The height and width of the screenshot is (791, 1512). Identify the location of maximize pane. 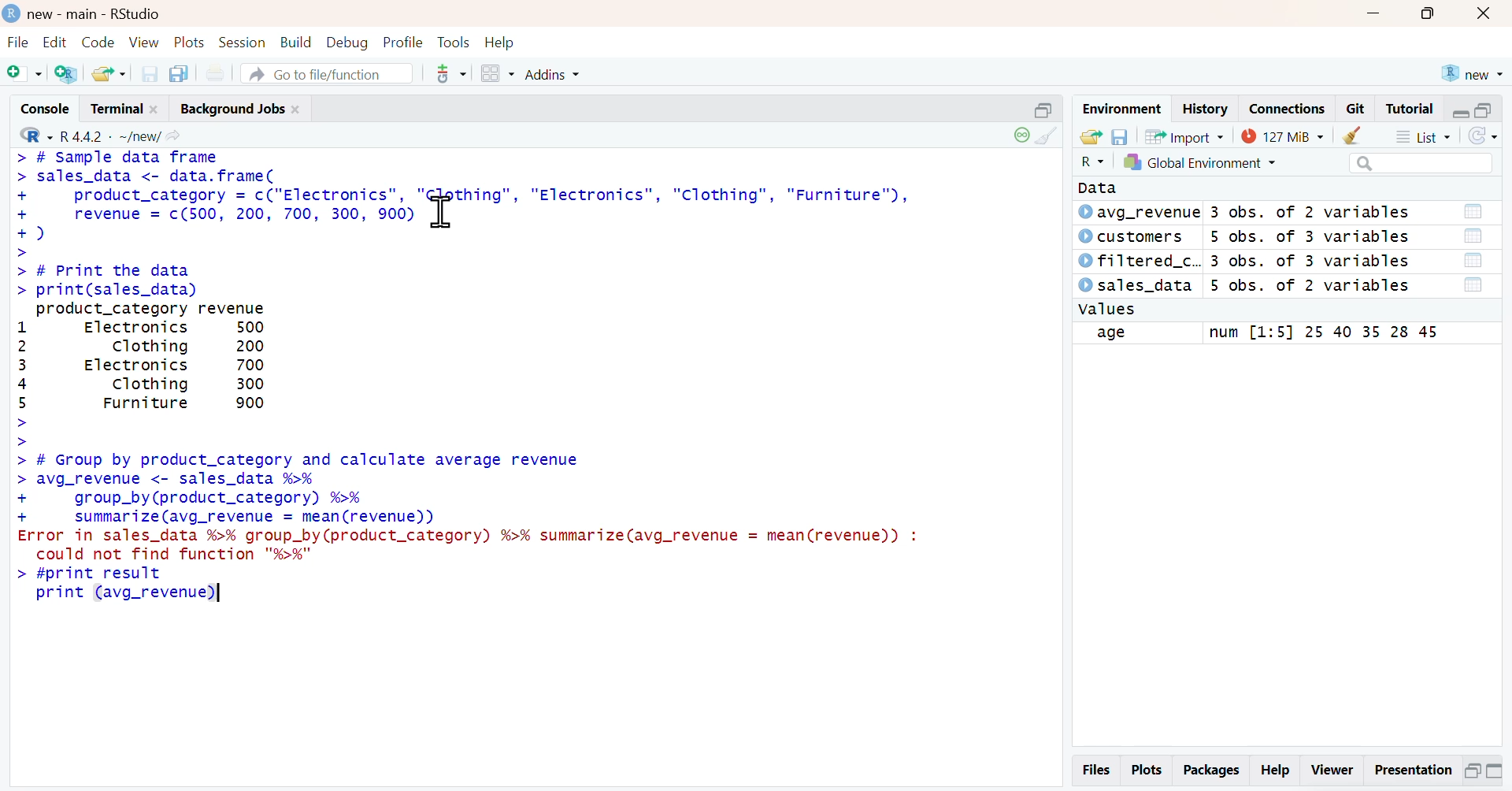
(1485, 111).